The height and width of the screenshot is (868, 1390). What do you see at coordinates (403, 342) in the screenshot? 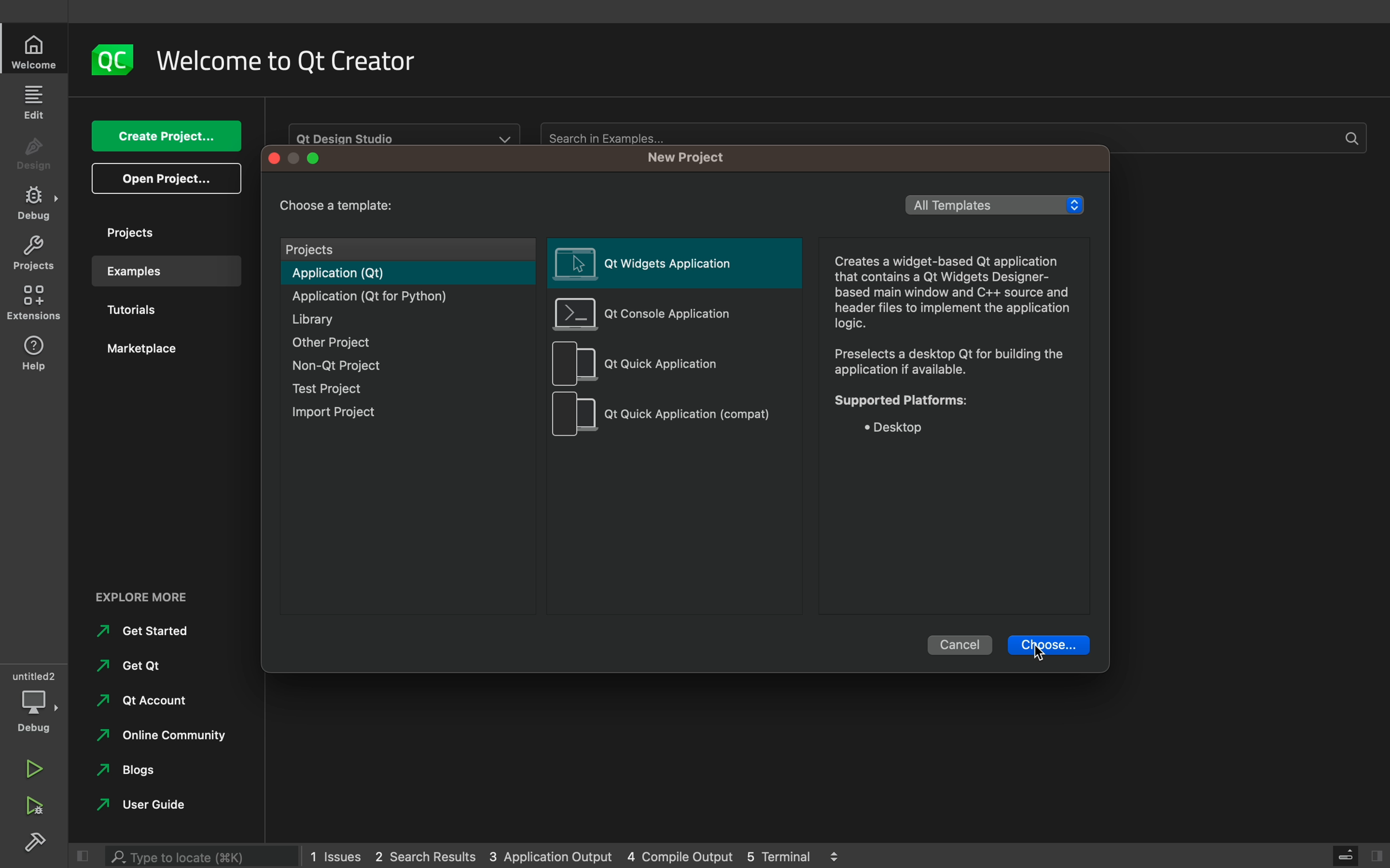
I see `other project` at bounding box center [403, 342].